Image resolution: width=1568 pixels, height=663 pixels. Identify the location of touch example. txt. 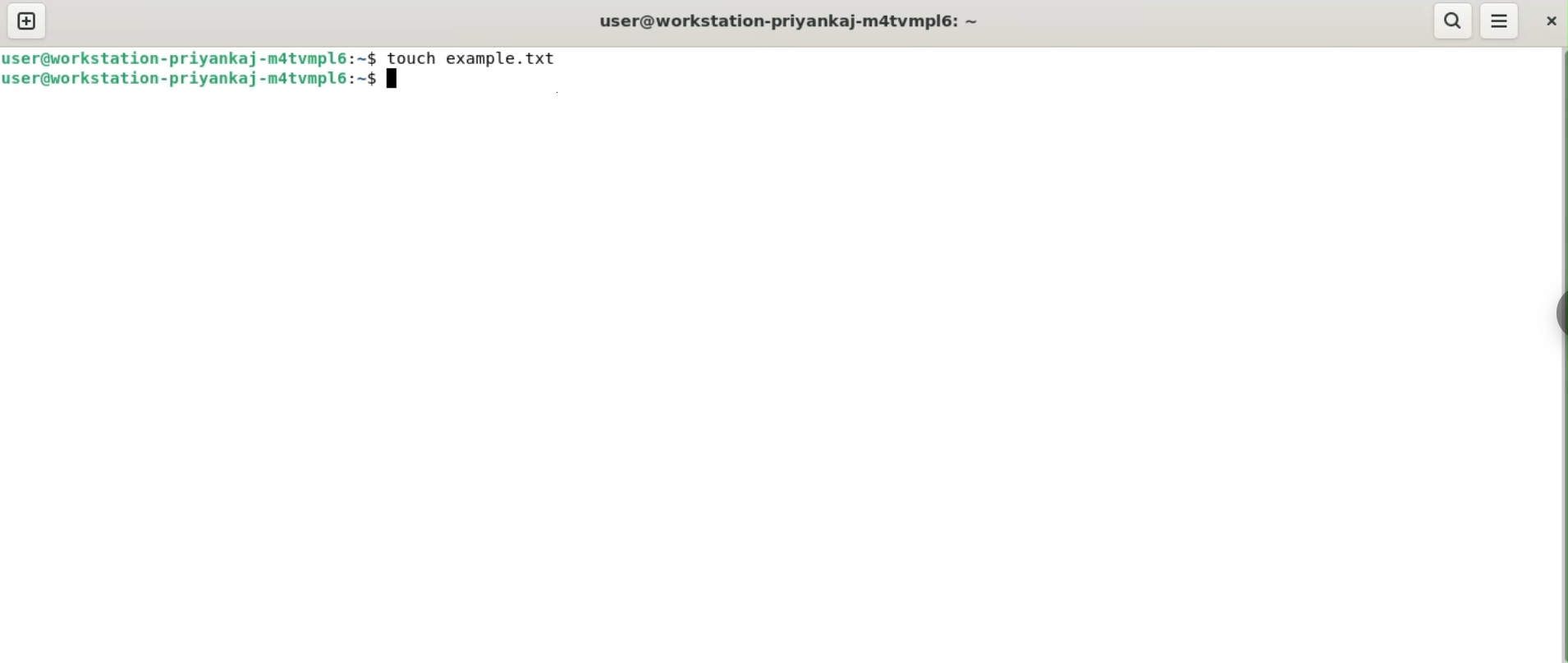
(471, 58).